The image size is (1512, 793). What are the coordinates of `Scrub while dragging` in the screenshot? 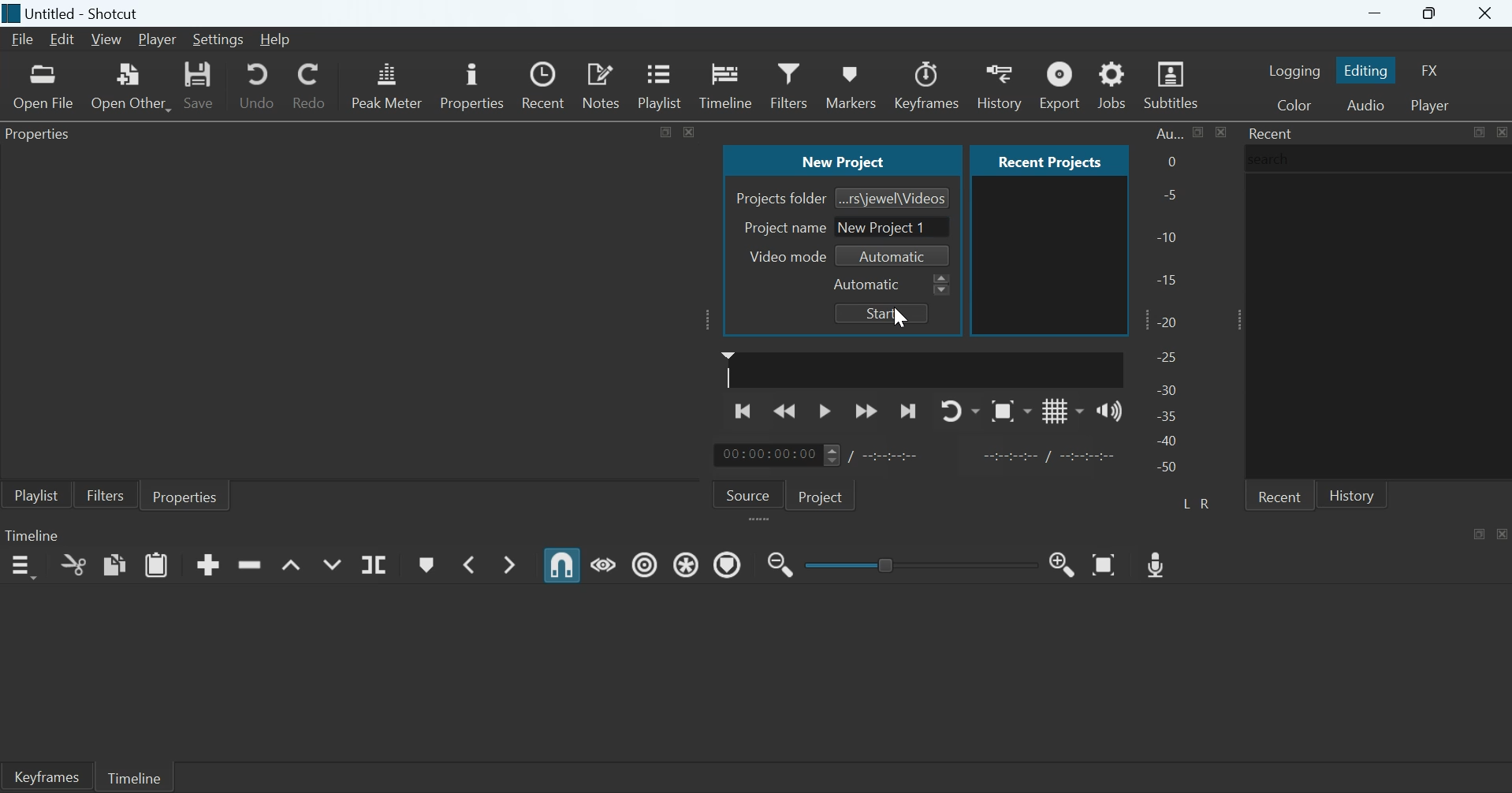 It's located at (604, 563).